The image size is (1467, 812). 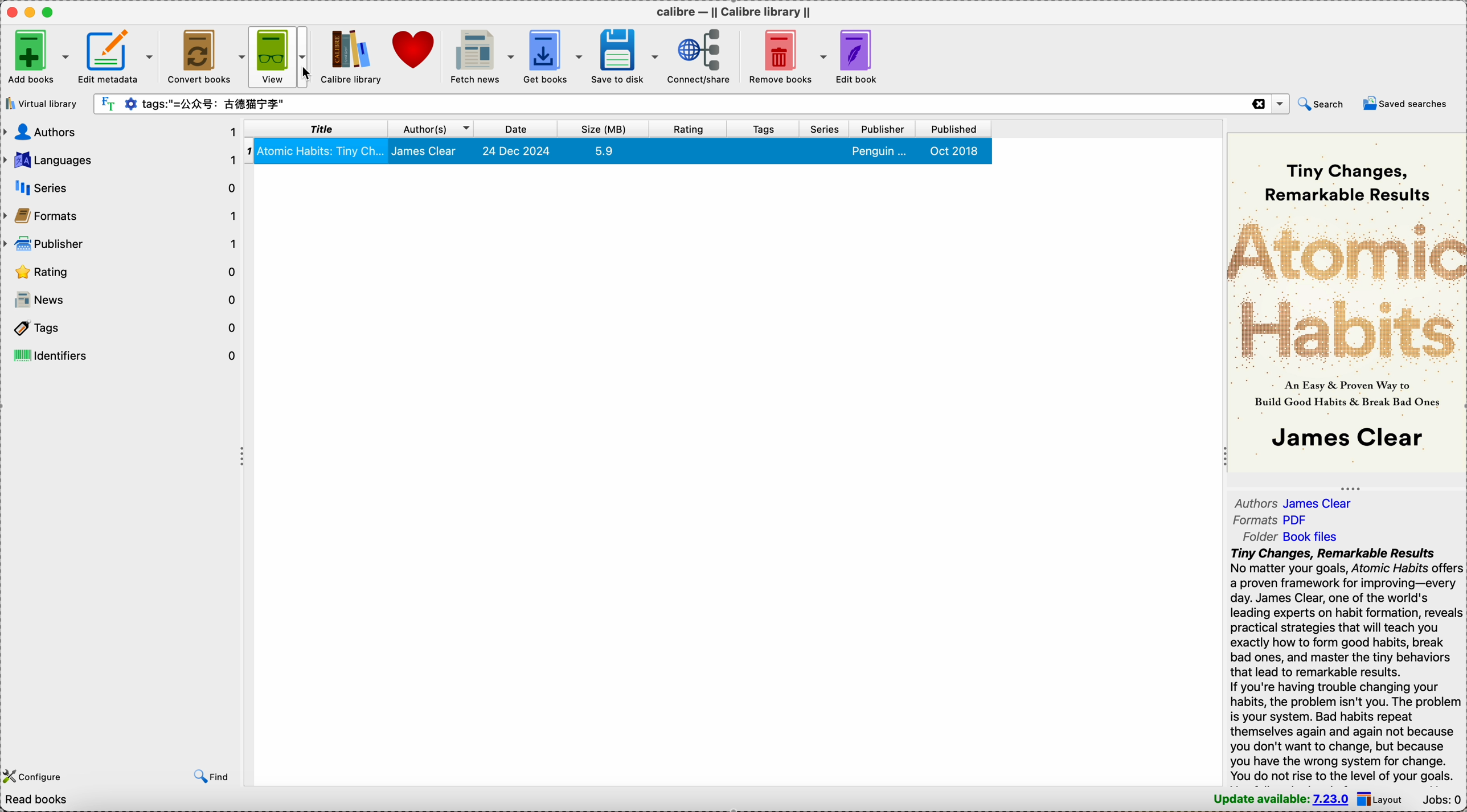 I want to click on rating, so click(x=689, y=128).